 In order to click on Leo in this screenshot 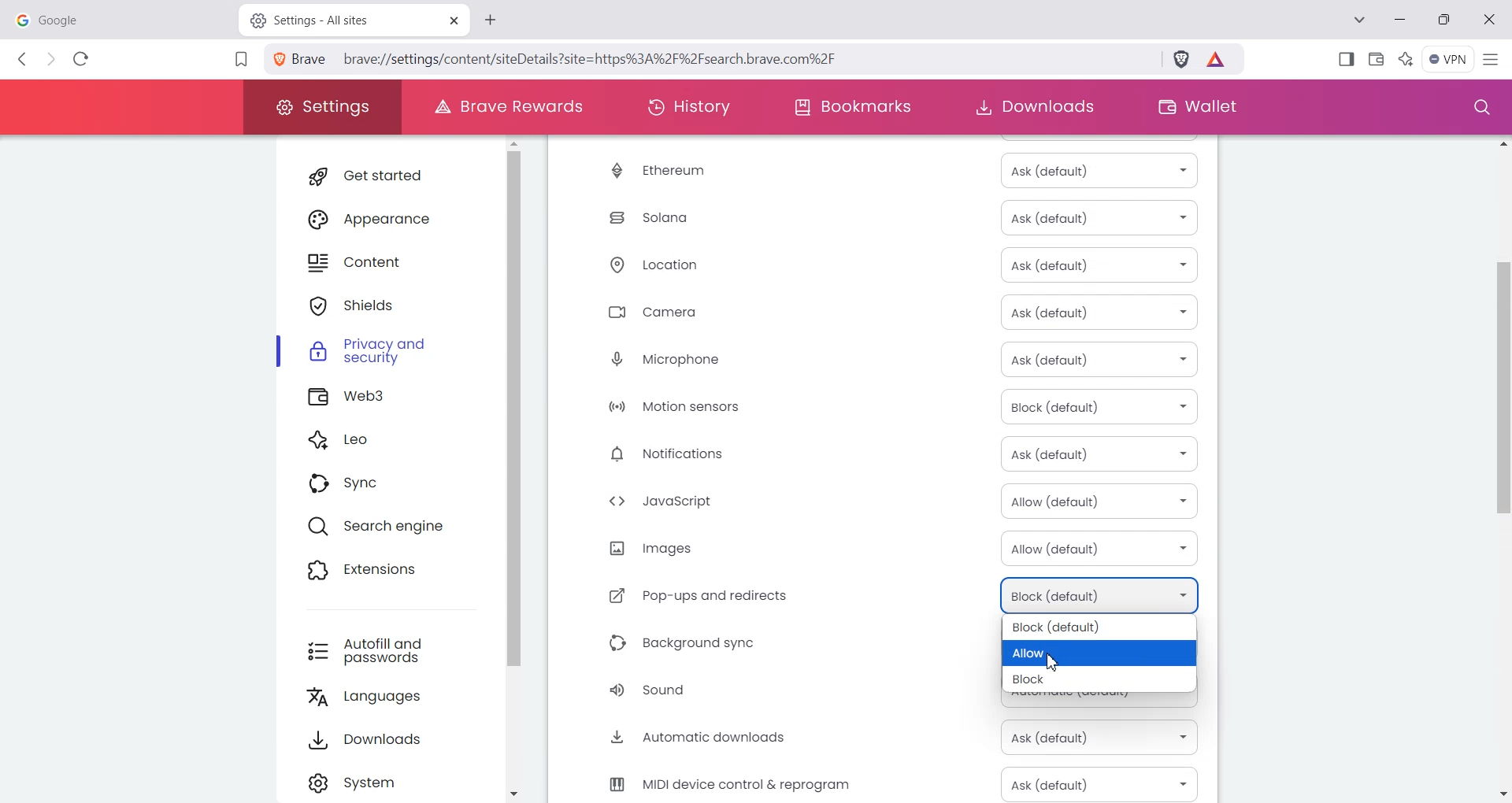, I will do `click(389, 442)`.